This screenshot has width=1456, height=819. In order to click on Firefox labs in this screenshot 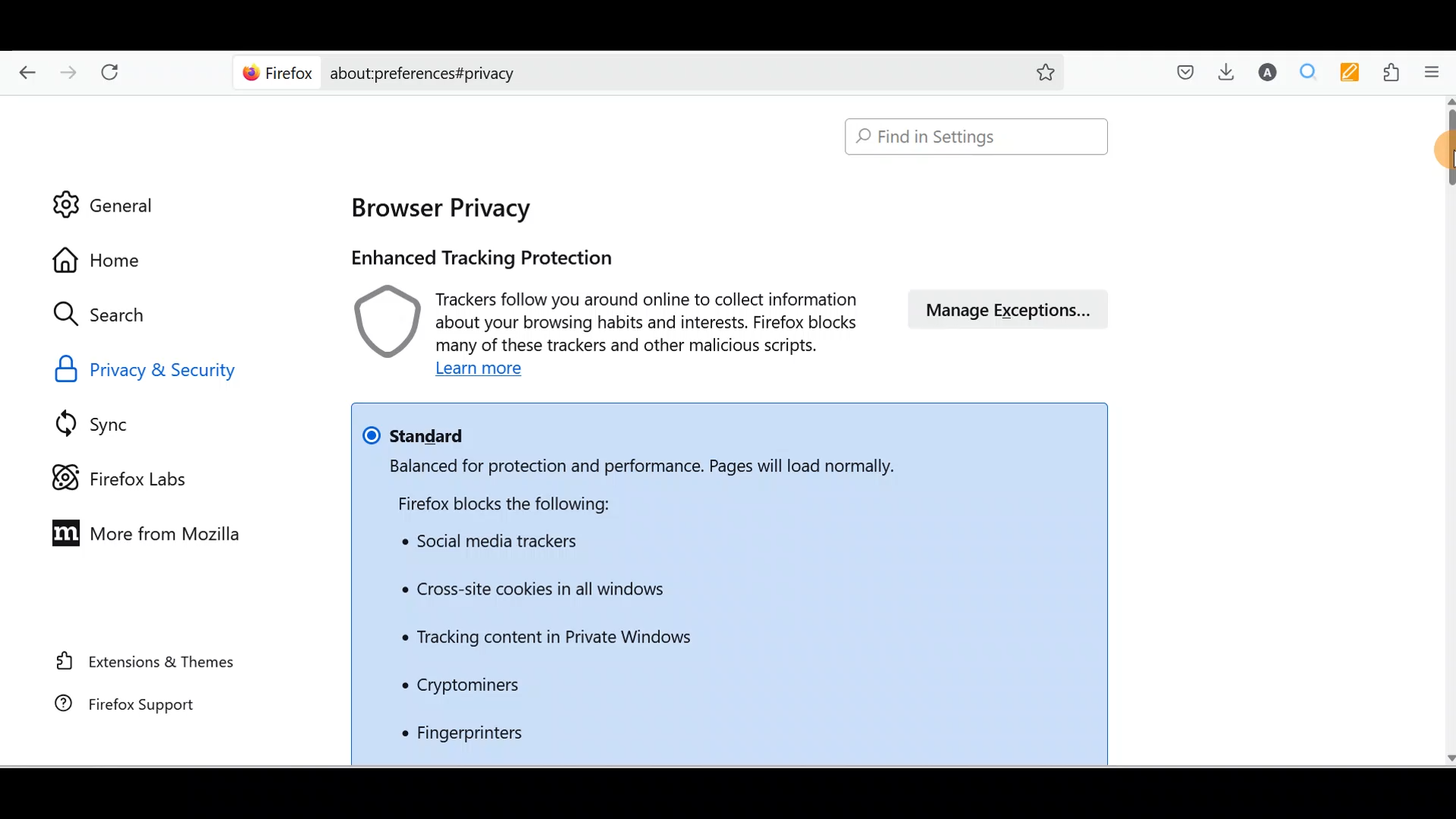, I will do `click(117, 476)`.